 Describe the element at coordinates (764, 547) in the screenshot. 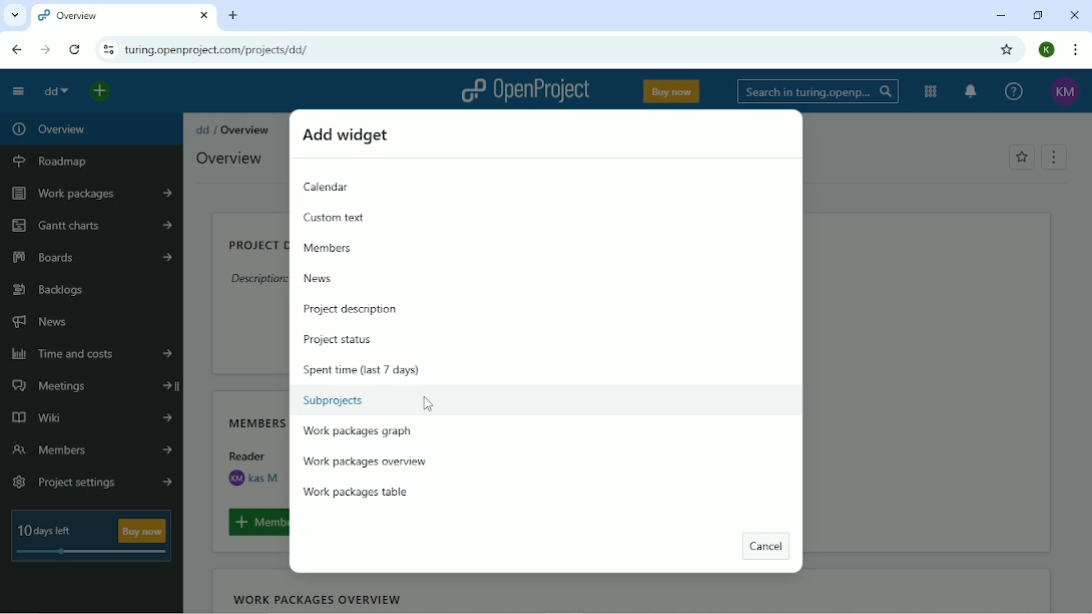

I see `Cancel` at that location.